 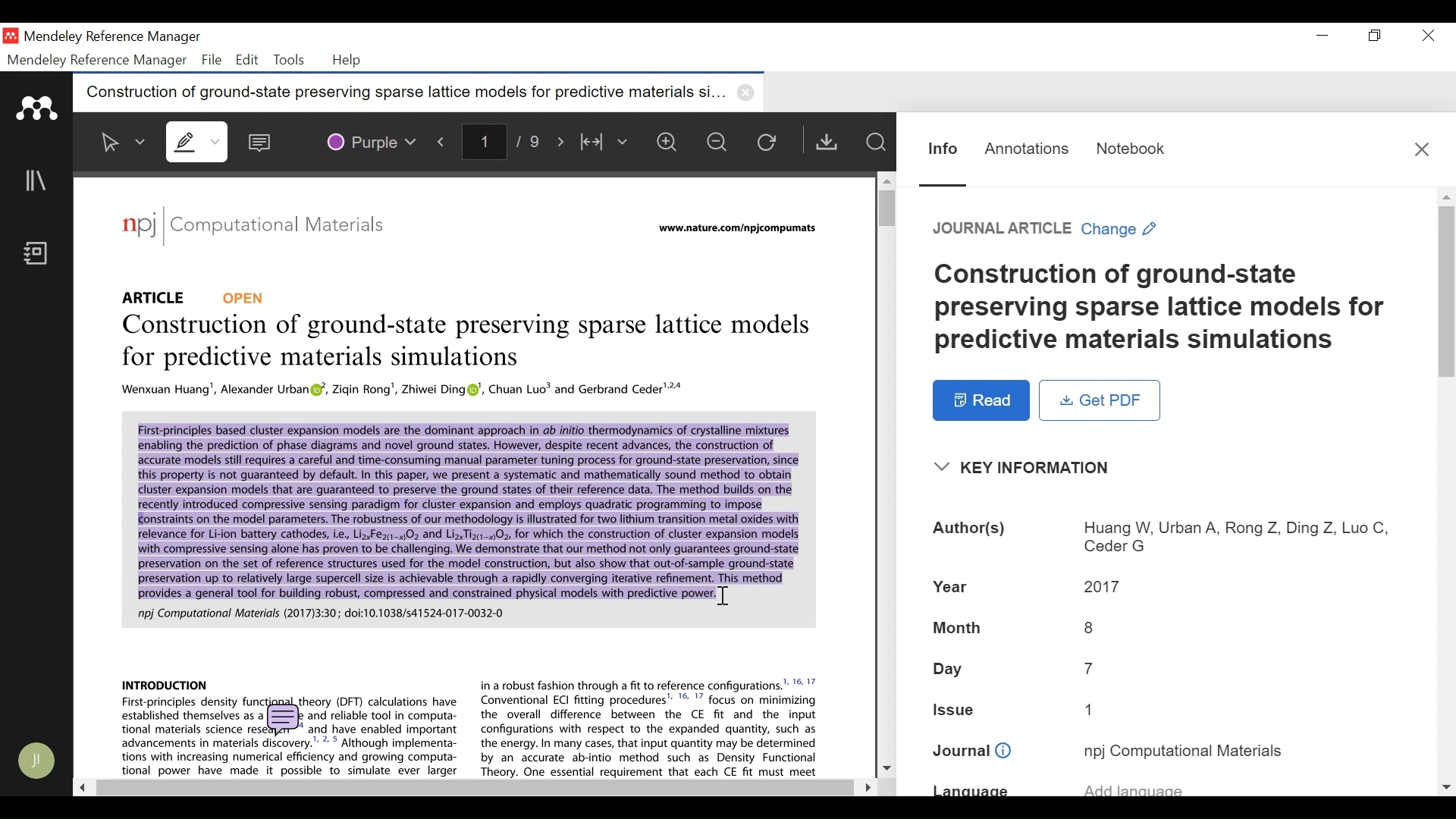 I want to click on File, so click(x=212, y=60).